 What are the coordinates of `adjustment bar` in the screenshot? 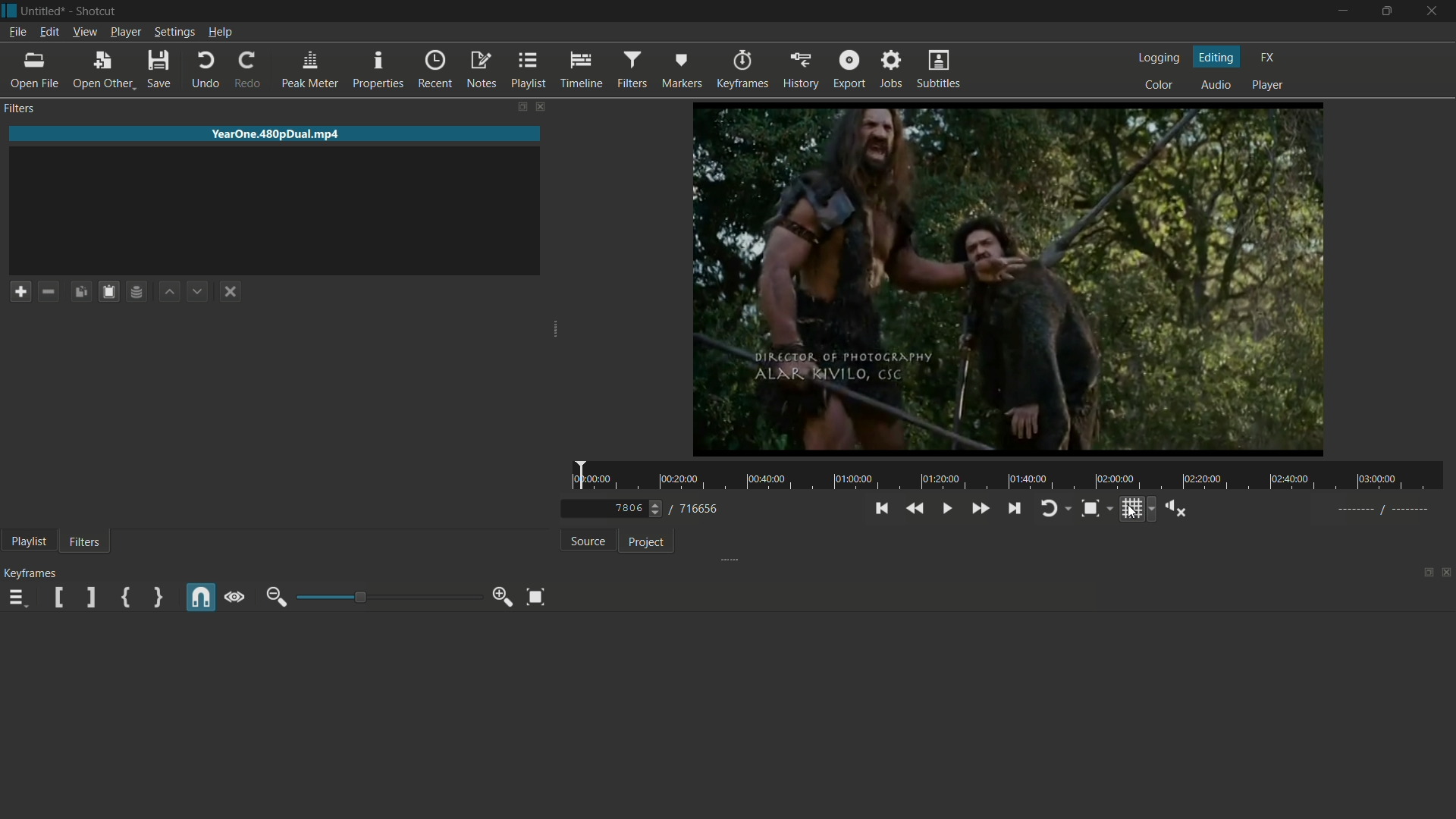 It's located at (381, 597).